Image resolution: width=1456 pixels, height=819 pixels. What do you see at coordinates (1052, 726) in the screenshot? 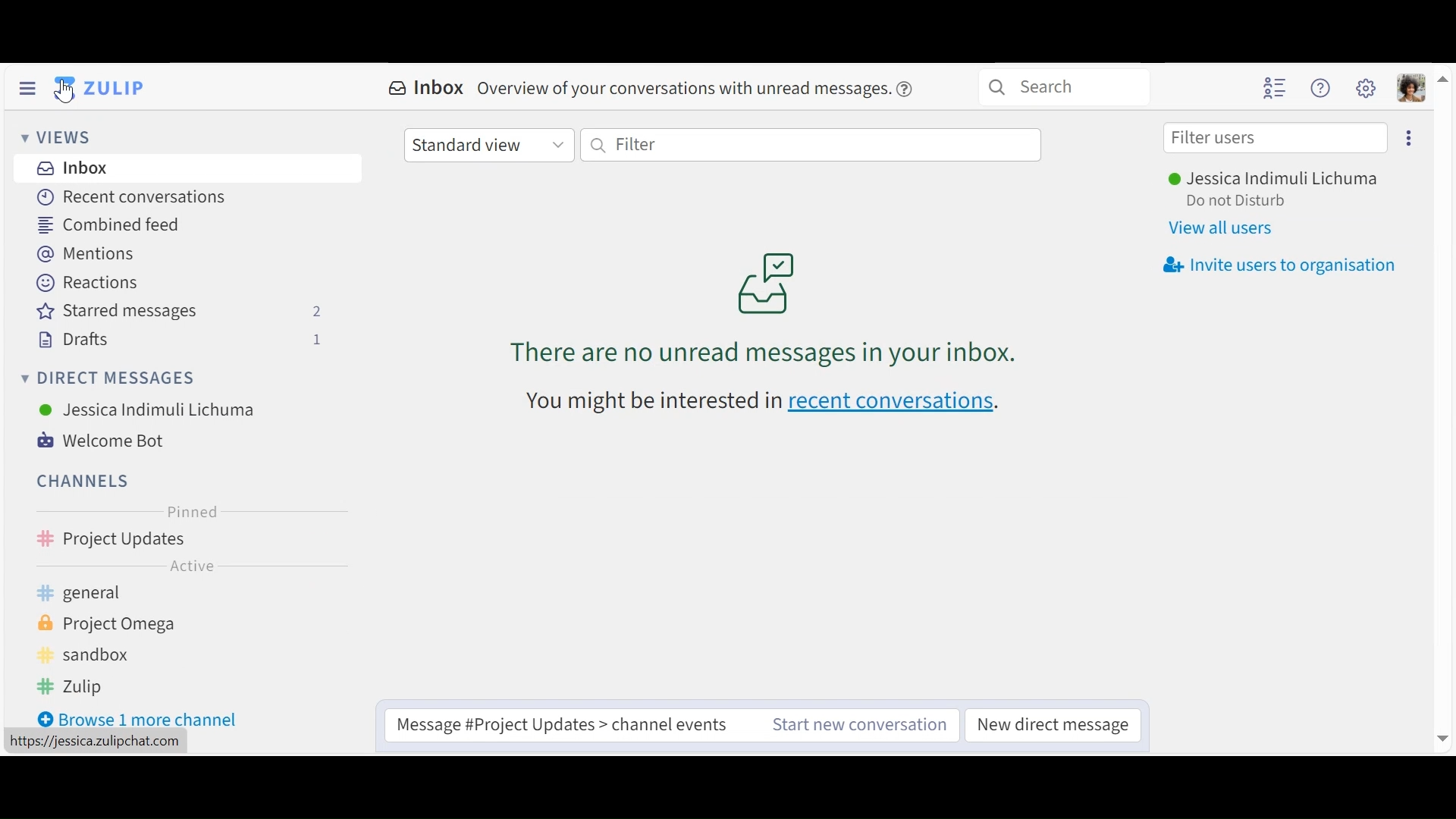
I see `New direct message` at bounding box center [1052, 726].